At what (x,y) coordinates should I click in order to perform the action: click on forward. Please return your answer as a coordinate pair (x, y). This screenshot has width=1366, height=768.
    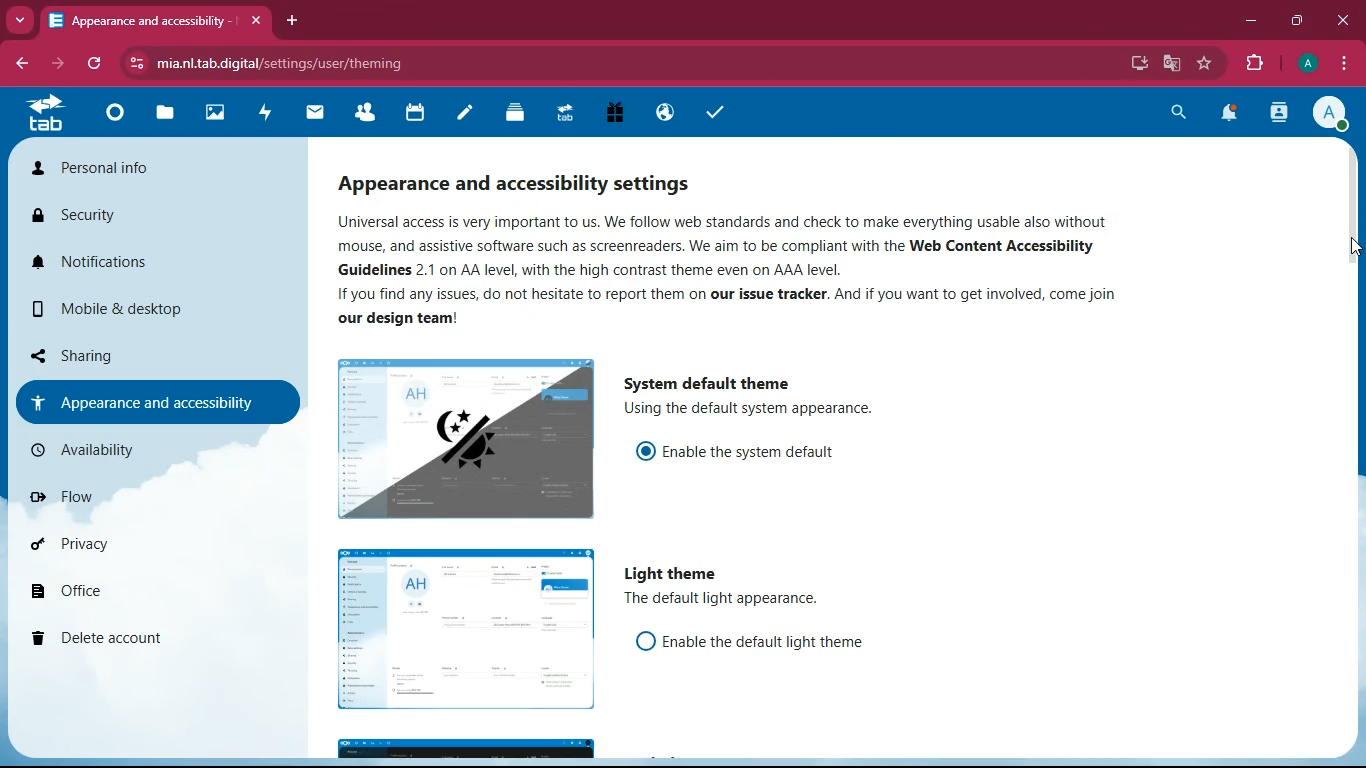
    Looking at the image, I should click on (60, 64).